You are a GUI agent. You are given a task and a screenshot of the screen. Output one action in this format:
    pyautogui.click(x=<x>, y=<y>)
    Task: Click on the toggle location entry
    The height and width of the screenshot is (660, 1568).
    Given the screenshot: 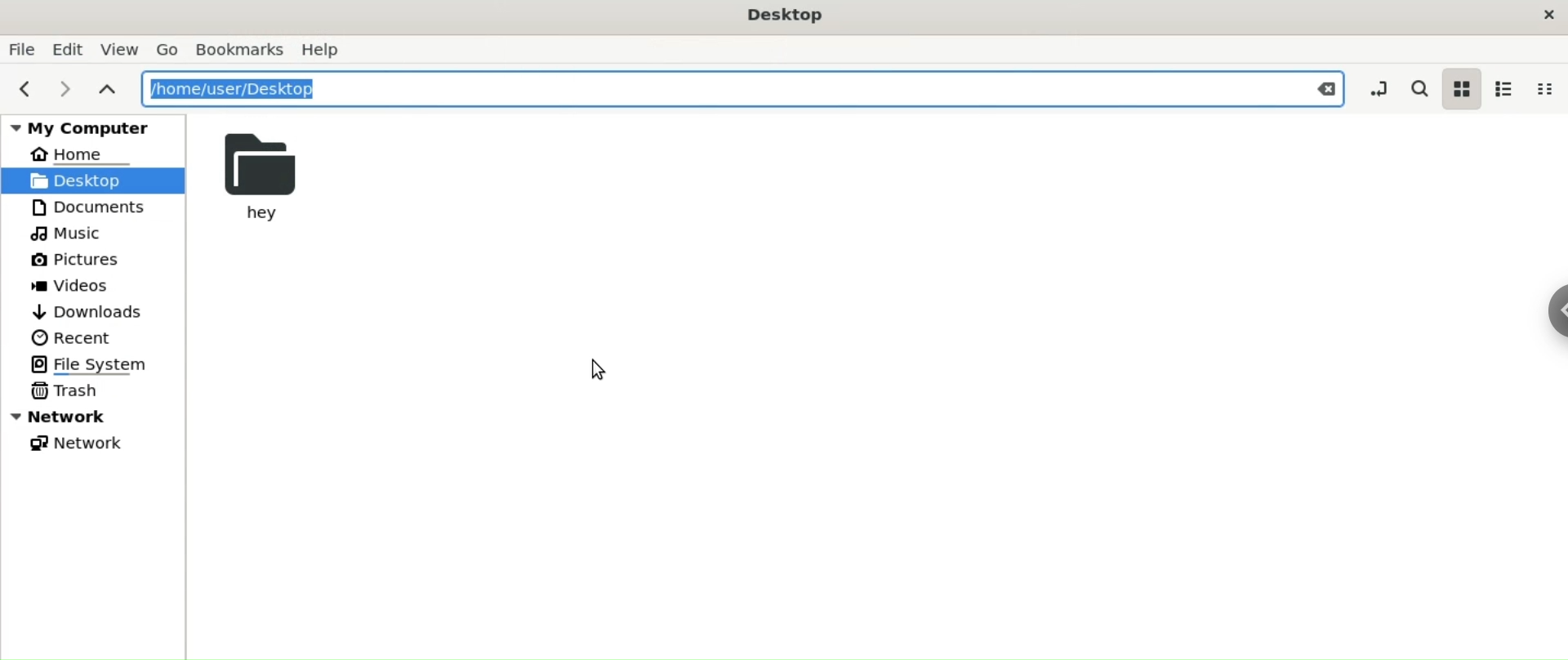 What is the action you would take?
    pyautogui.click(x=1377, y=87)
    